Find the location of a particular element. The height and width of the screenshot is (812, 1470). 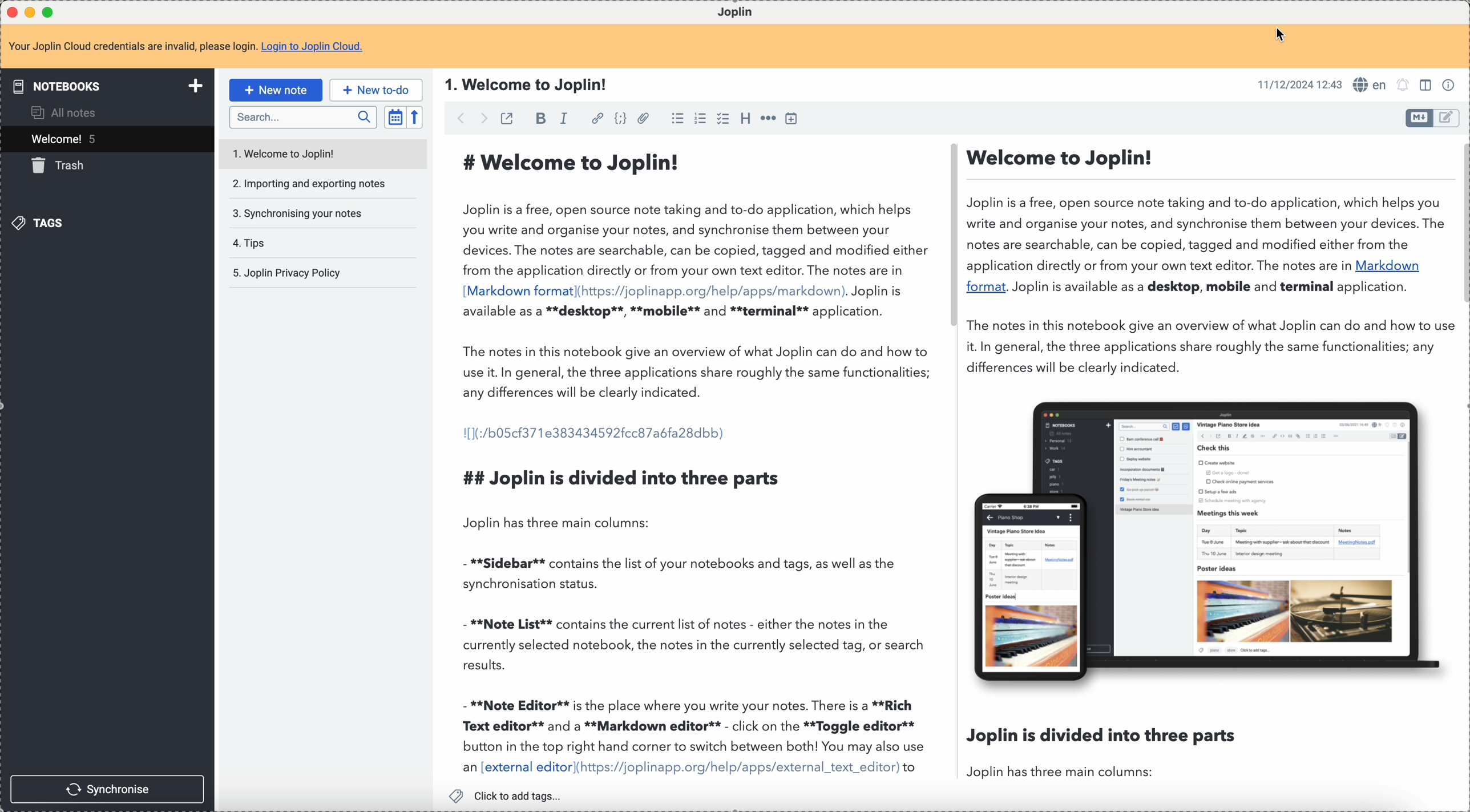

tags is located at coordinates (42, 225).